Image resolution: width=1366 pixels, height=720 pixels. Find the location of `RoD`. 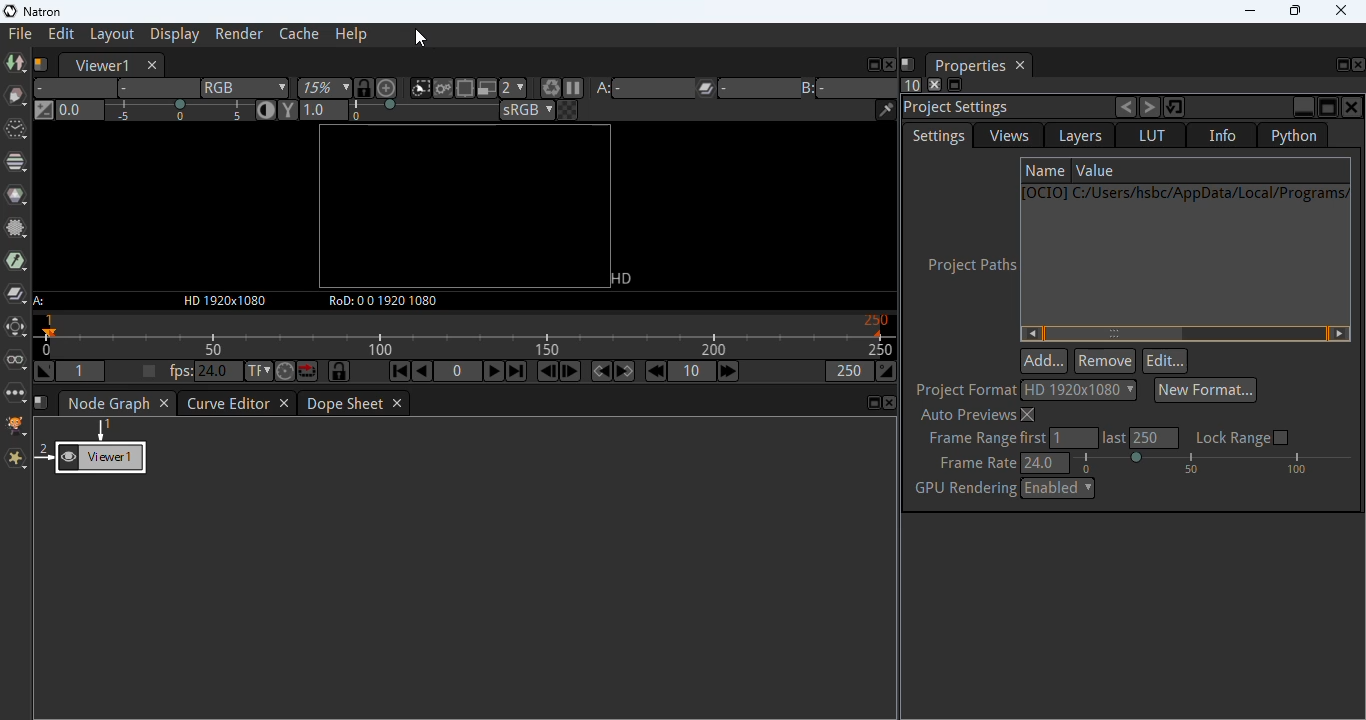

RoD is located at coordinates (381, 301).